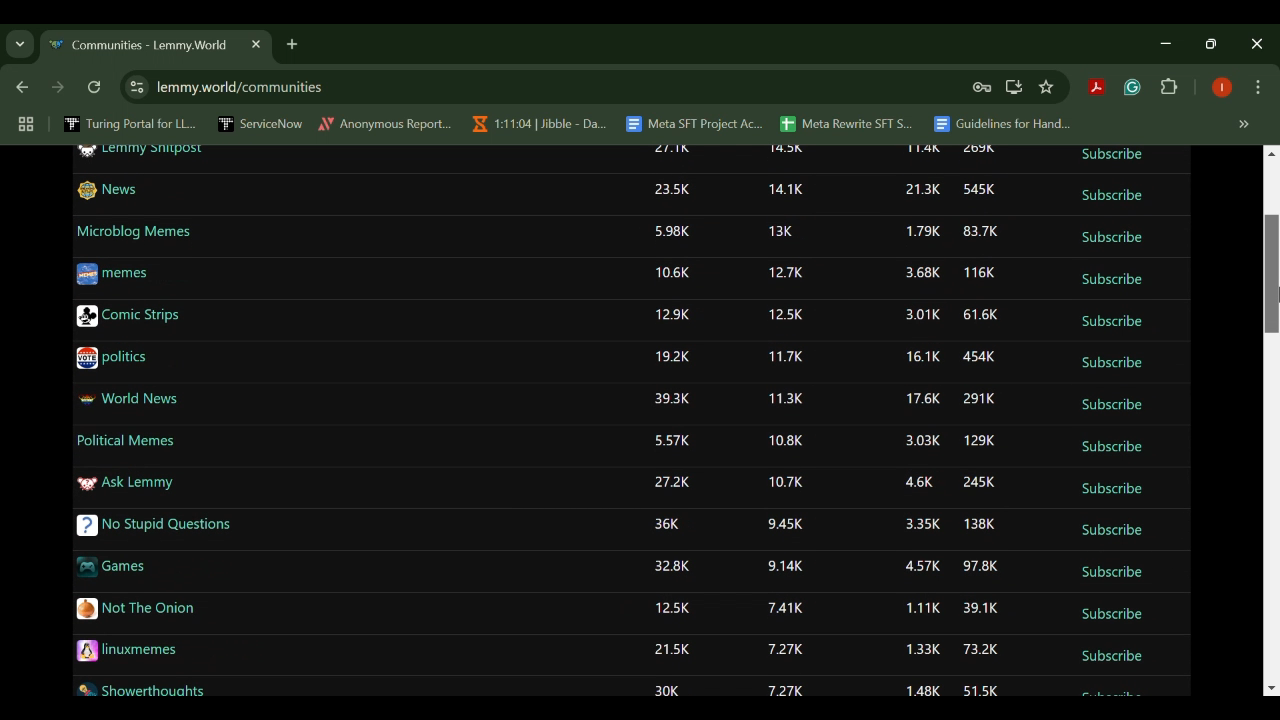  Describe the element at coordinates (982, 399) in the screenshot. I see `291K` at that location.